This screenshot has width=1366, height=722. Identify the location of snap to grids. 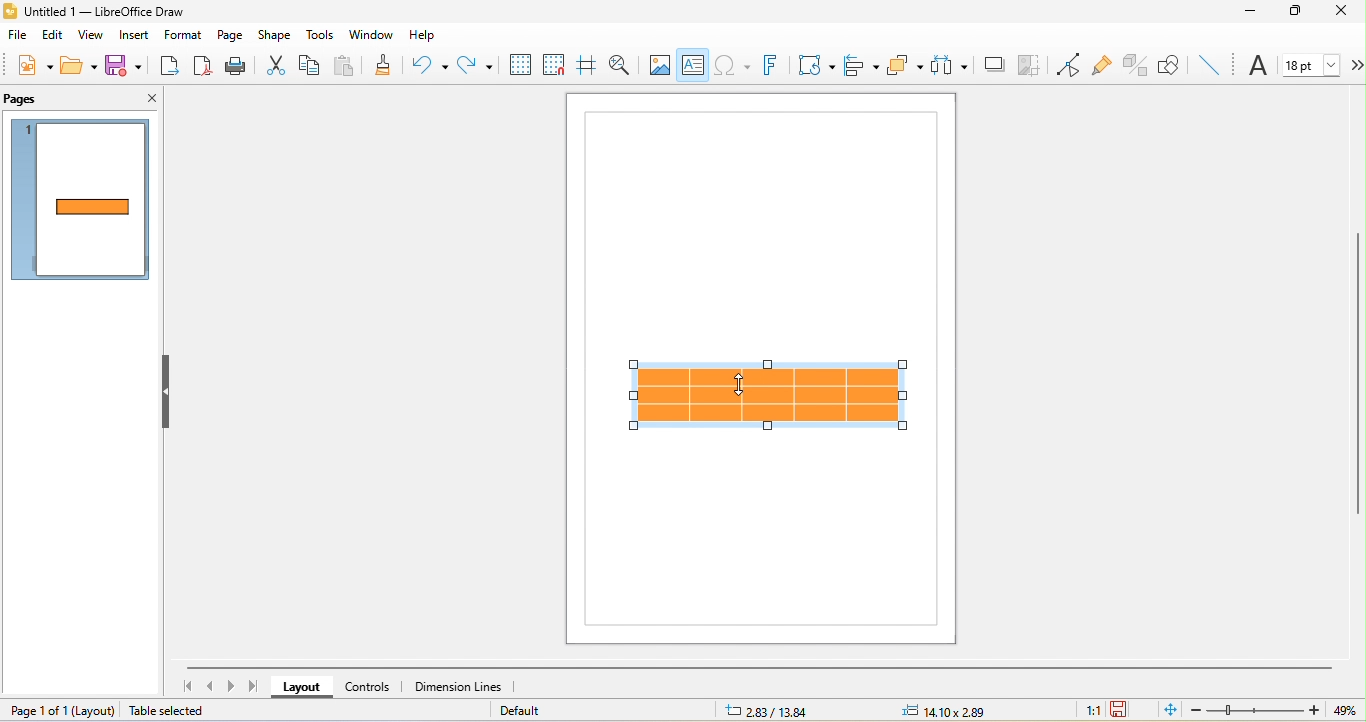
(556, 64).